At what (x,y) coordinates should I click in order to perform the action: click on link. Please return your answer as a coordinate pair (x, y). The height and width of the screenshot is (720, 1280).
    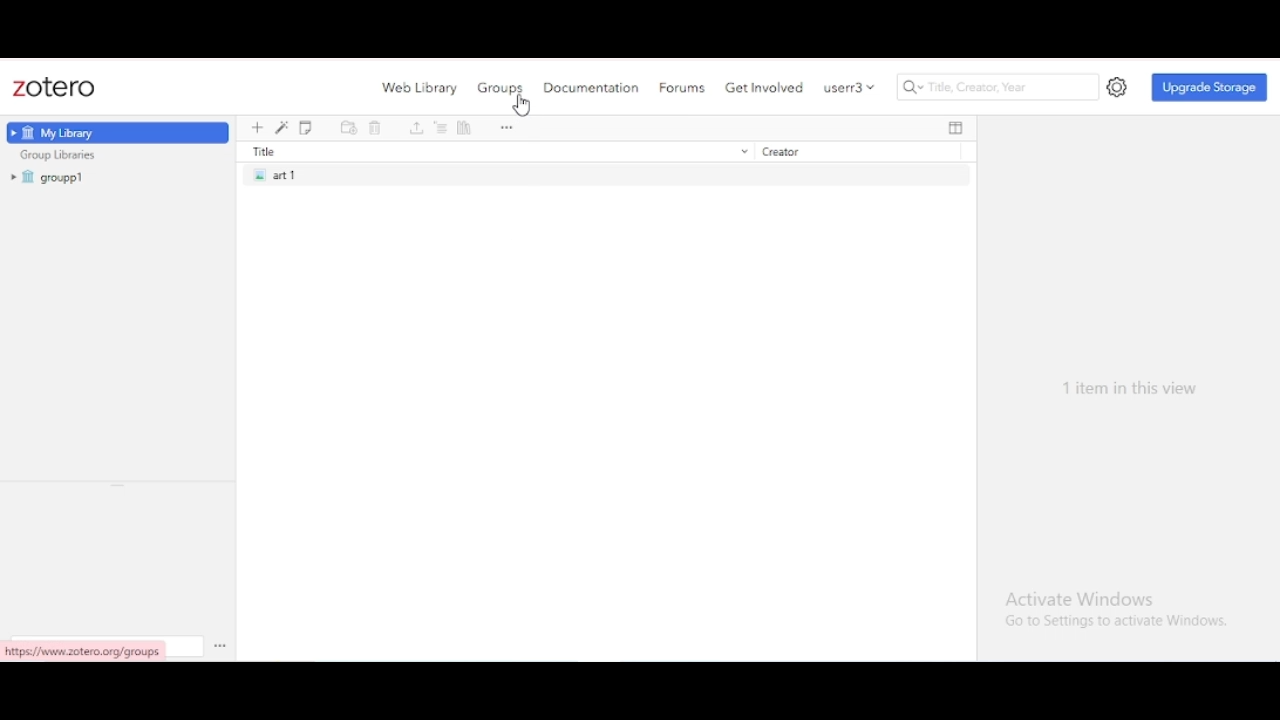
    Looking at the image, I should click on (86, 650).